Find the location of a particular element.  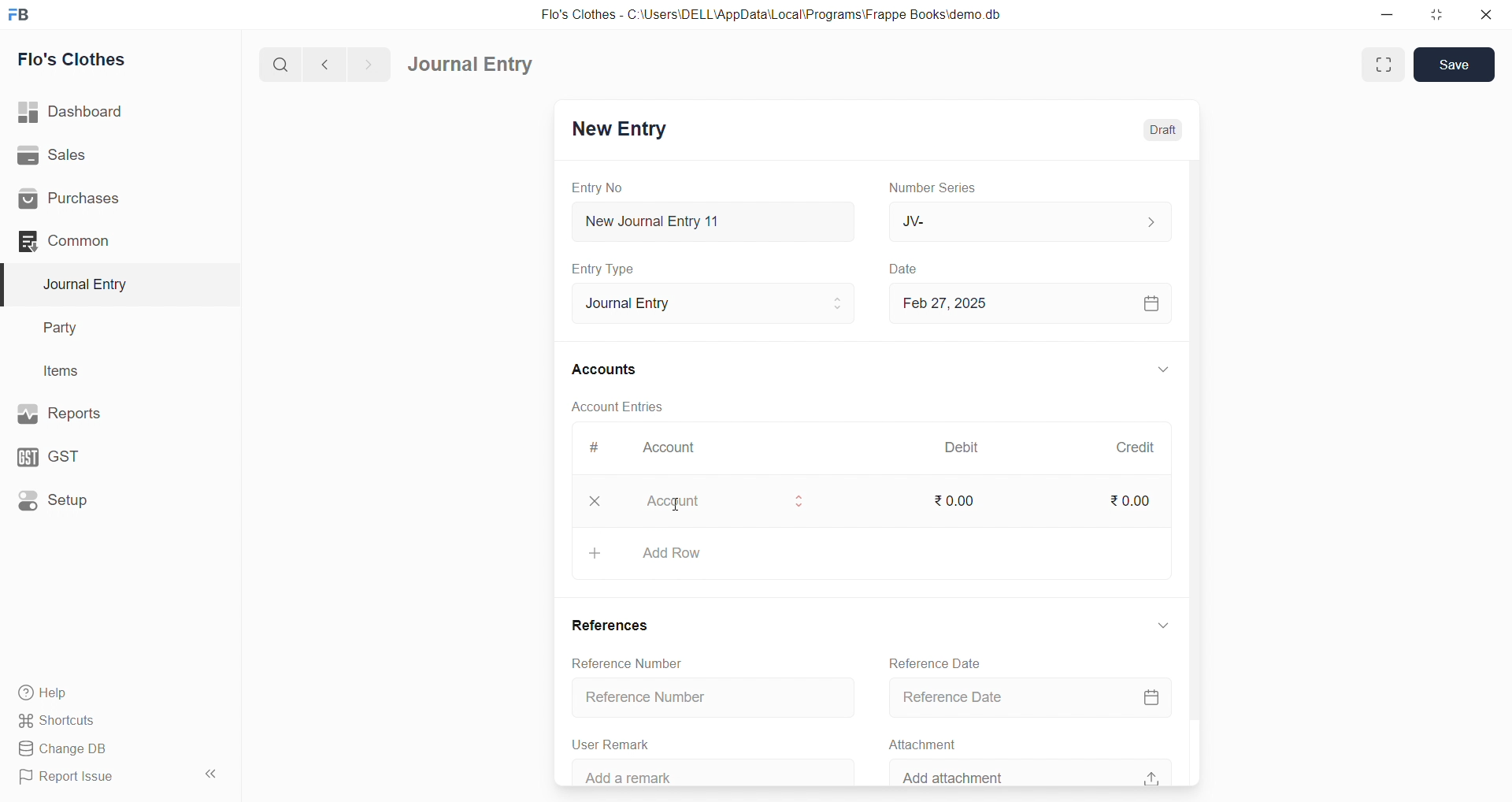

Credit is located at coordinates (1137, 448).